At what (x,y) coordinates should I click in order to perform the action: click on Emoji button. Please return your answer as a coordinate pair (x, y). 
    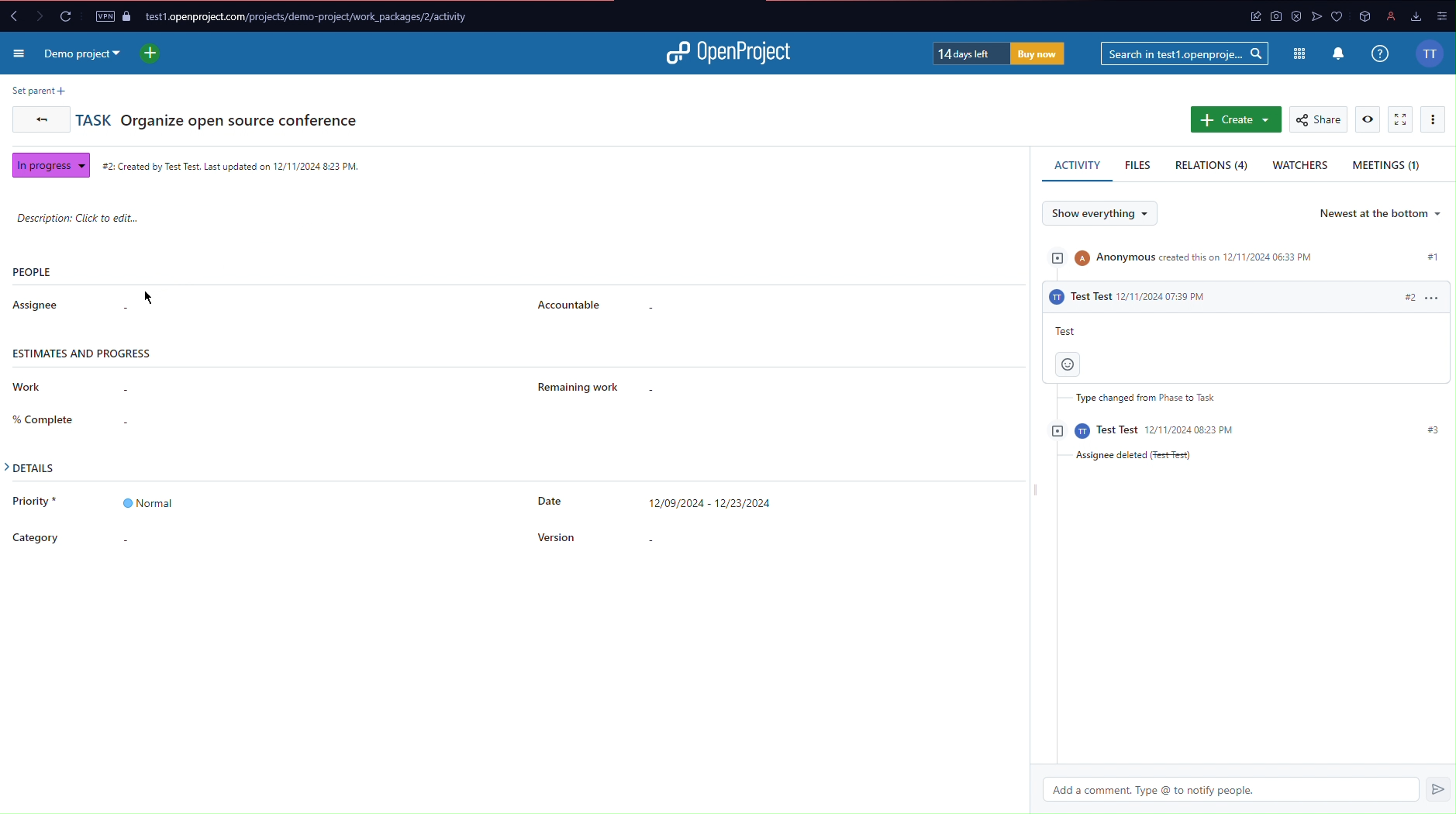
    Looking at the image, I should click on (1068, 365).